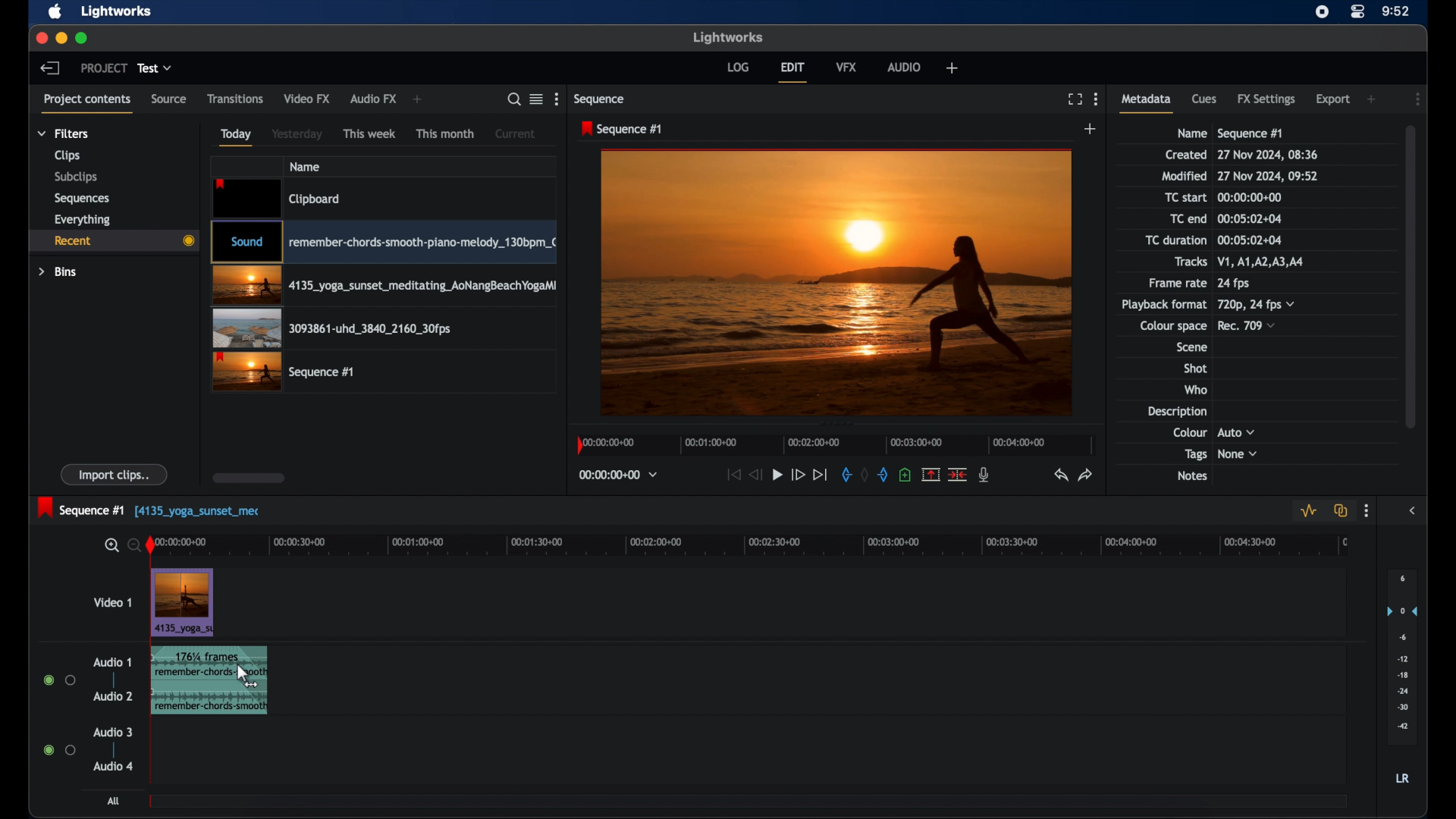 This screenshot has width=1456, height=819. I want to click on colour space, so click(1173, 326).